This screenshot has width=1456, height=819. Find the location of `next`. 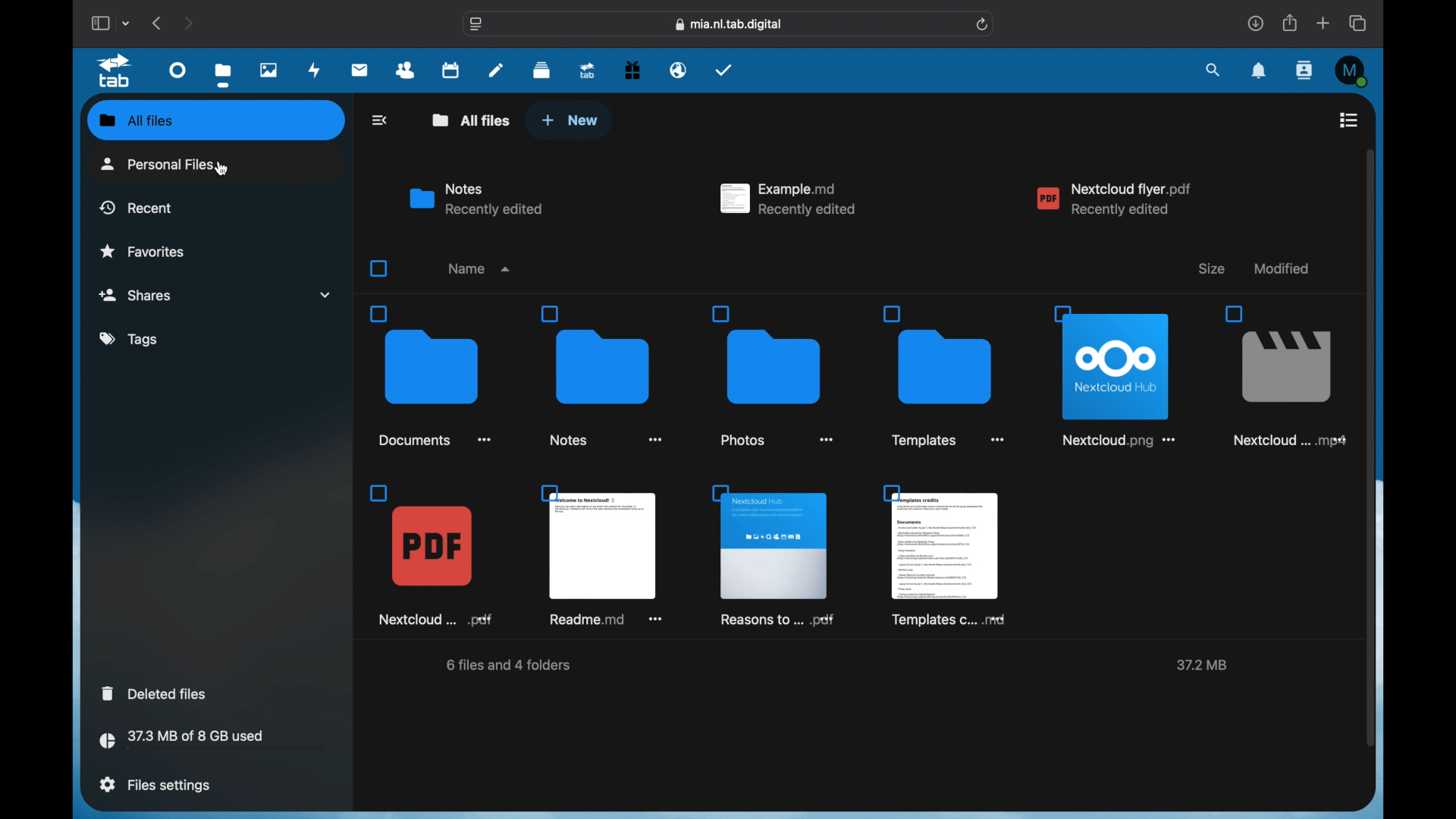

next is located at coordinates (188, 23).